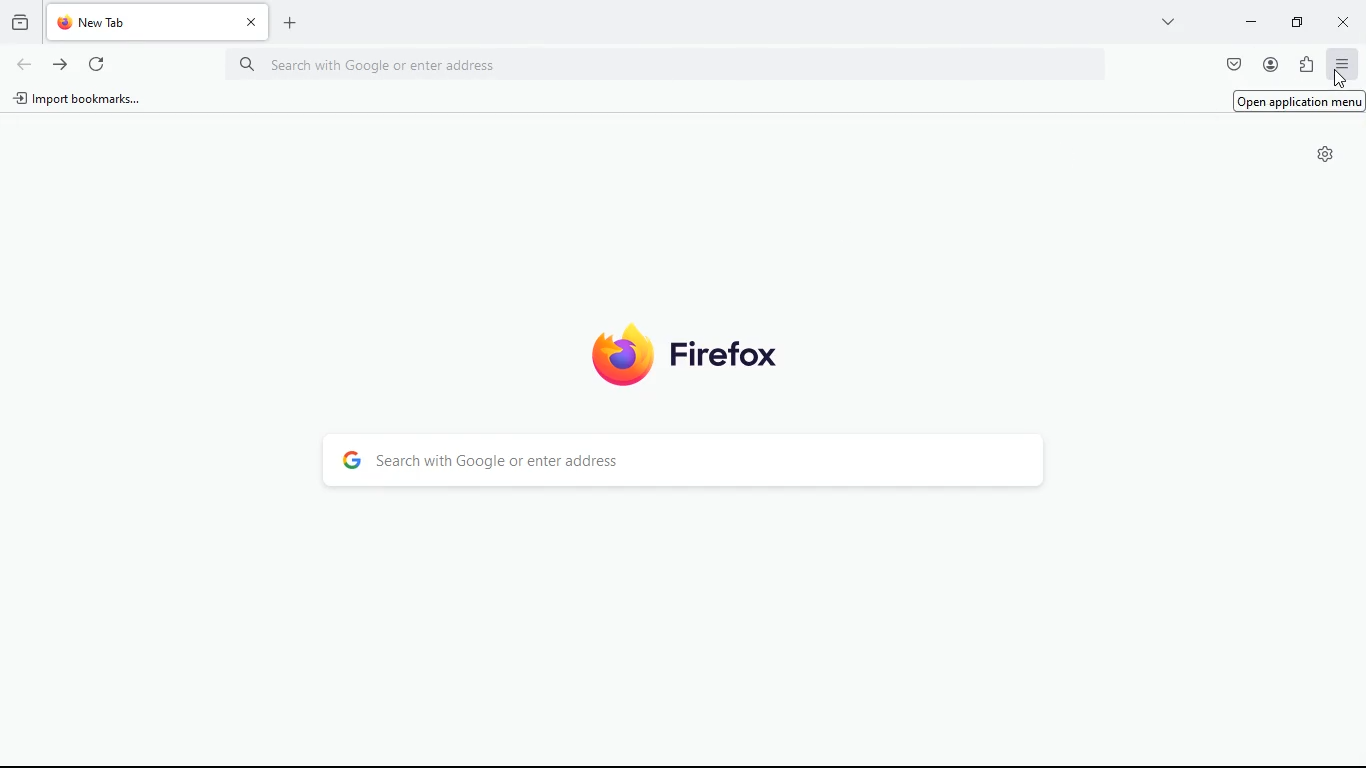 This screenshot has width=1366, height=768. Describe the element at coordinates (1169, 22) in the screenshot. I see `more` at that location.